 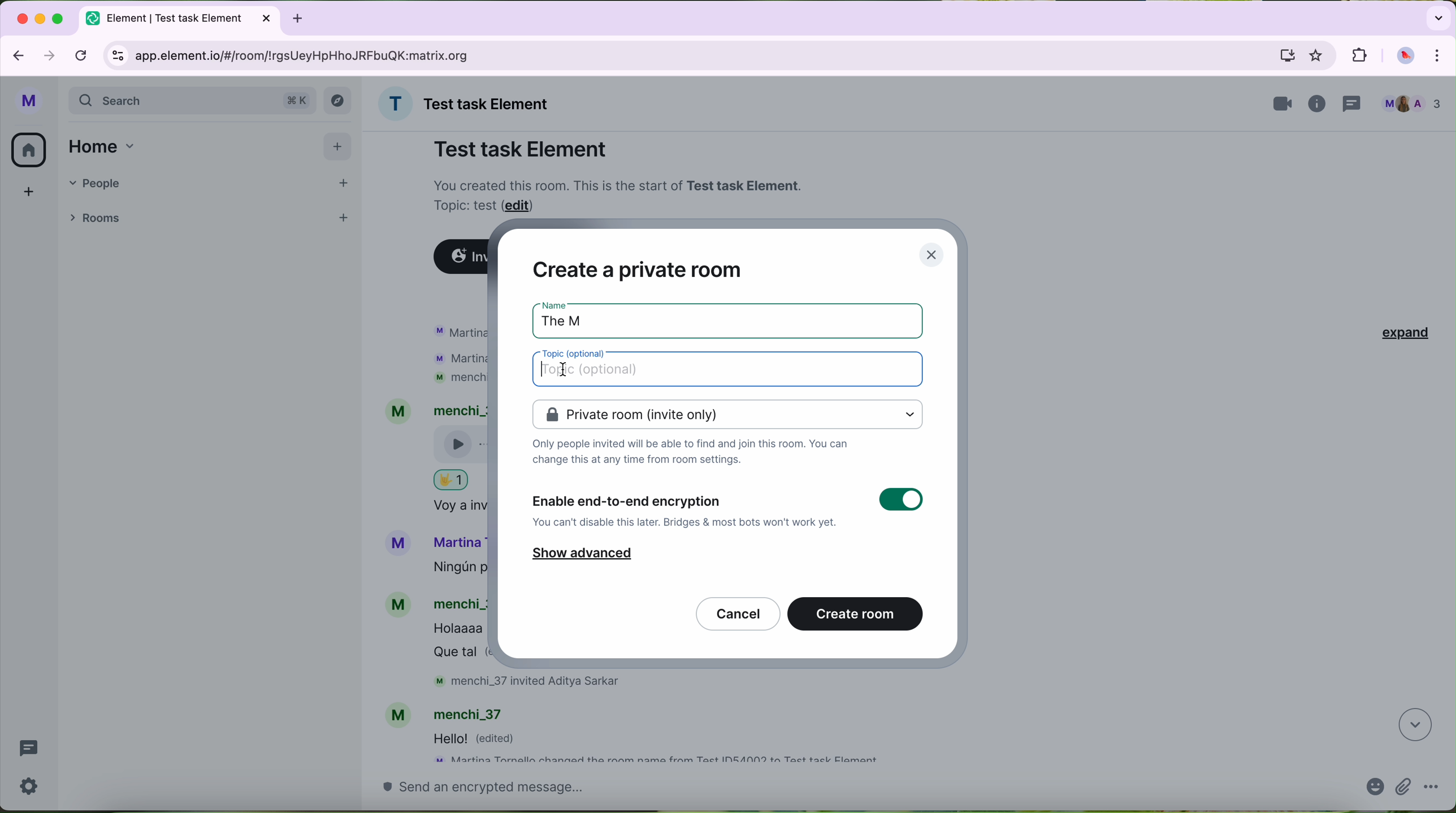 What do you see at coordinates (1358, 54) in the screenshot?
I see `extensions` at bounding box center [1358, 54].